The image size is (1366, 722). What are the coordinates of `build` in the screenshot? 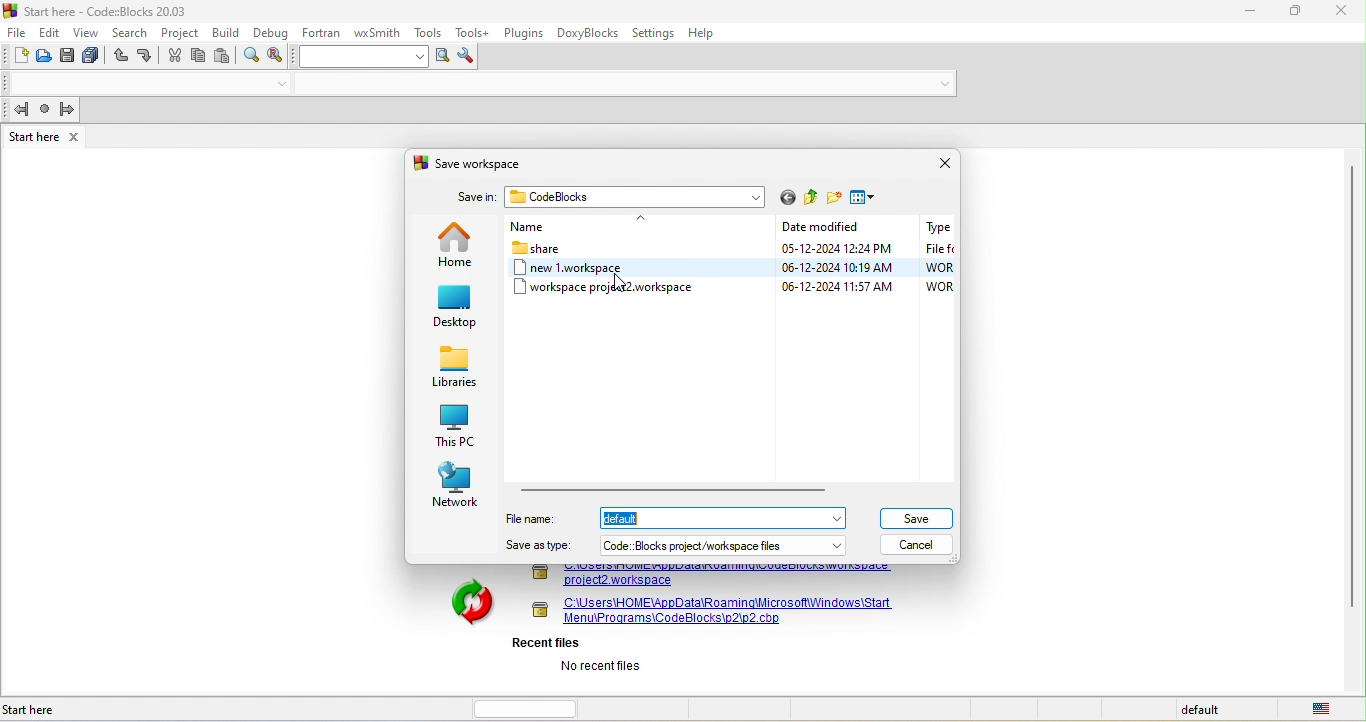 It's located at (226, 32).